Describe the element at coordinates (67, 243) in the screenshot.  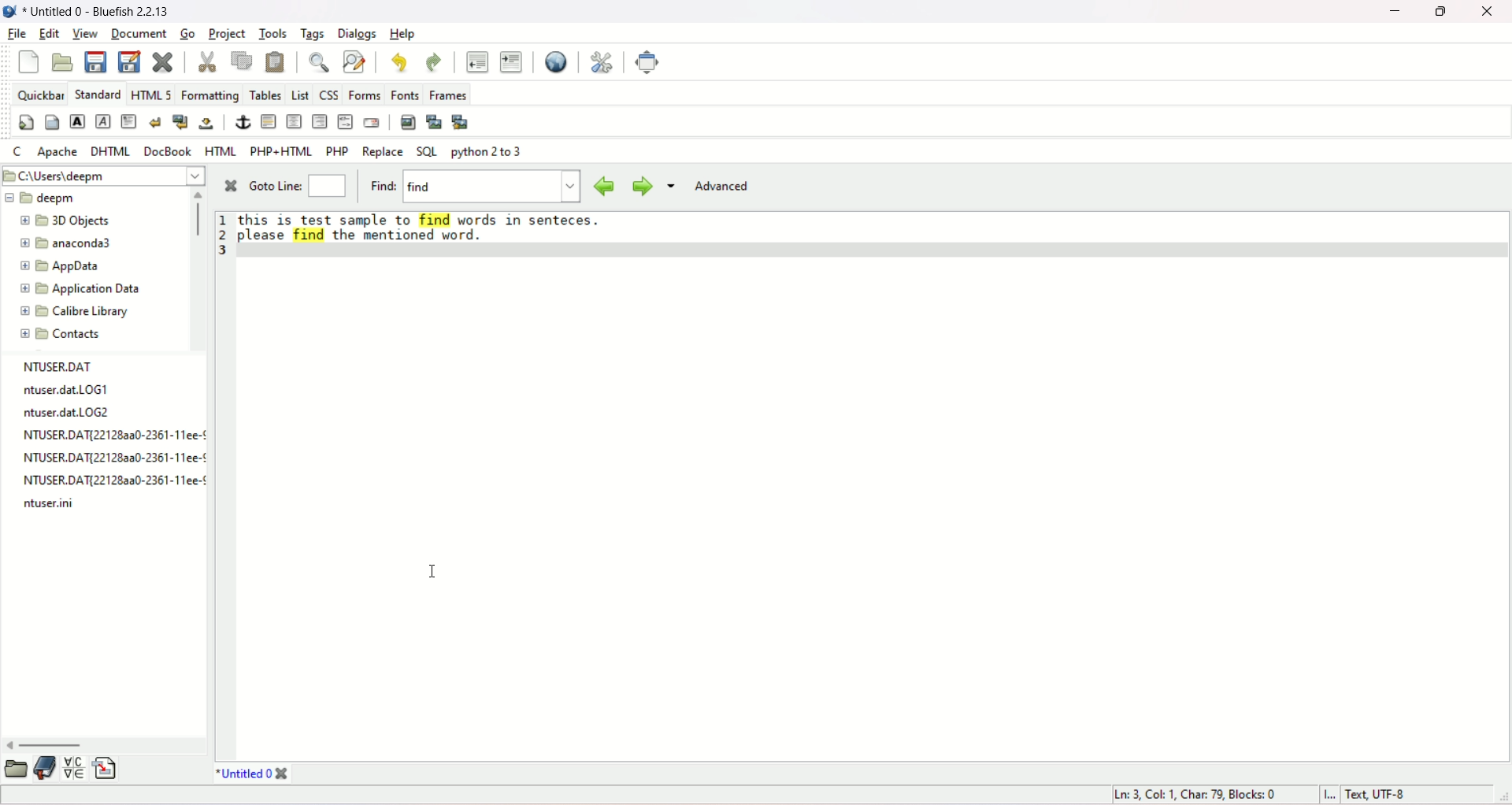
I see `anaconda` at that location.